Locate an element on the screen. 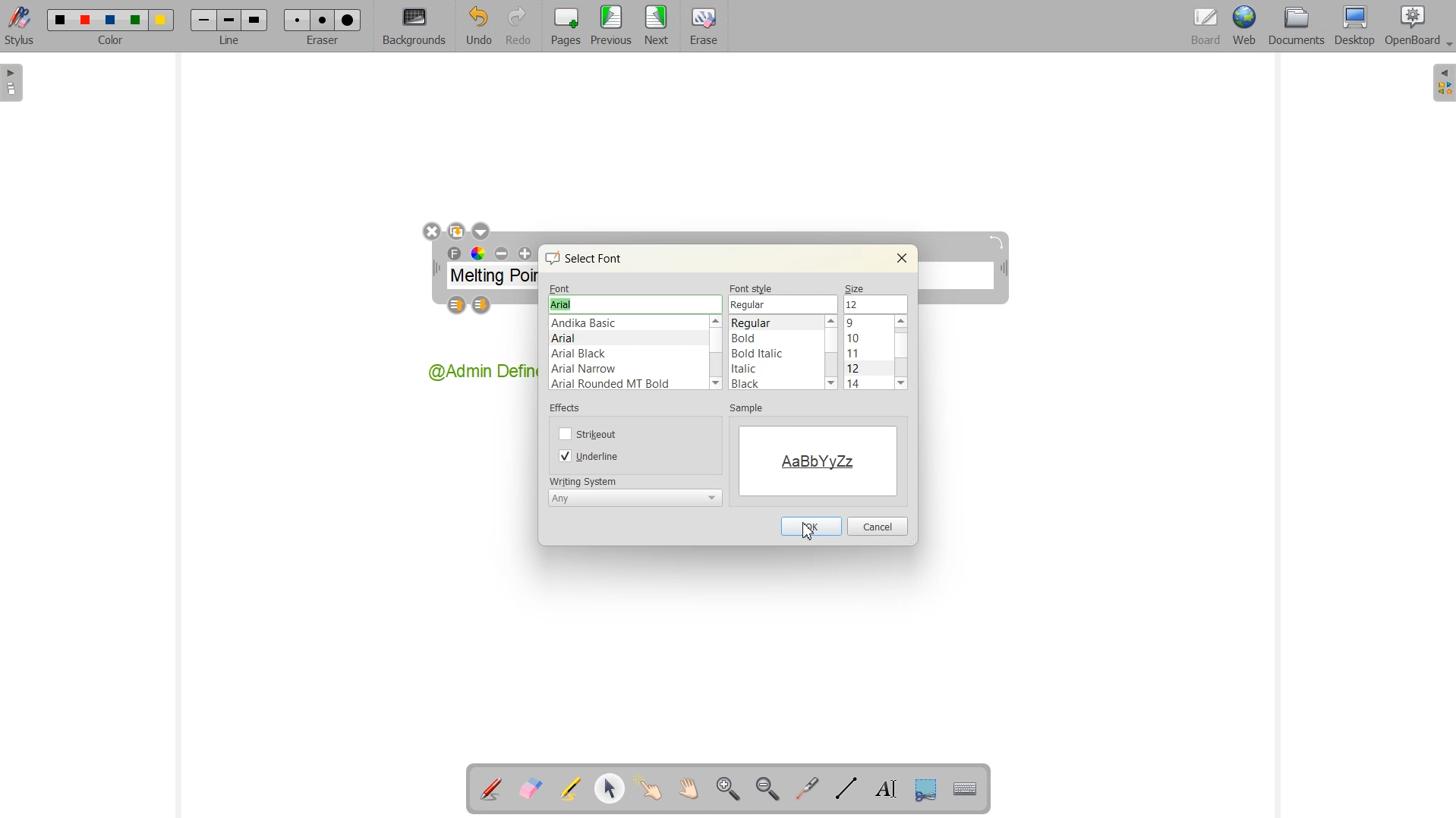  Highlight is located at coordinates (572, 790).